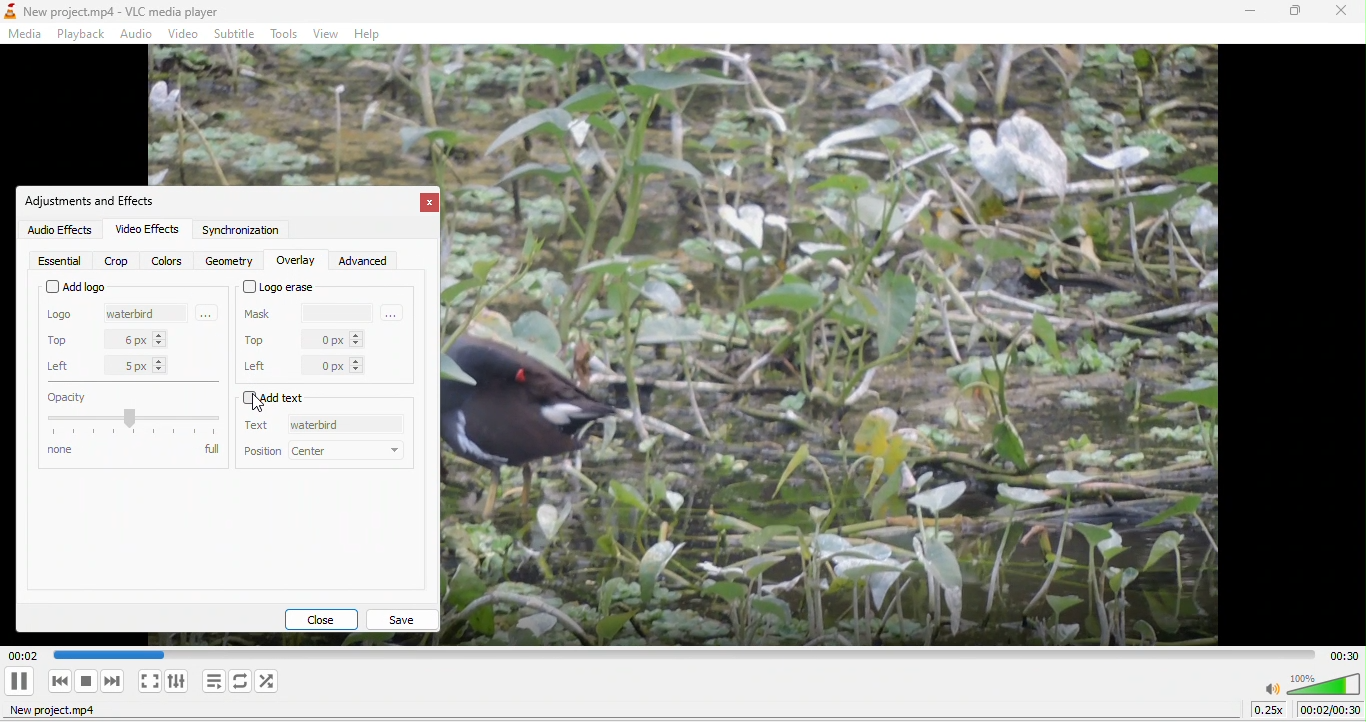 Image resolution: width=1366 pixels, height=722 pixels. I want to click on More options, so click(208, 314).